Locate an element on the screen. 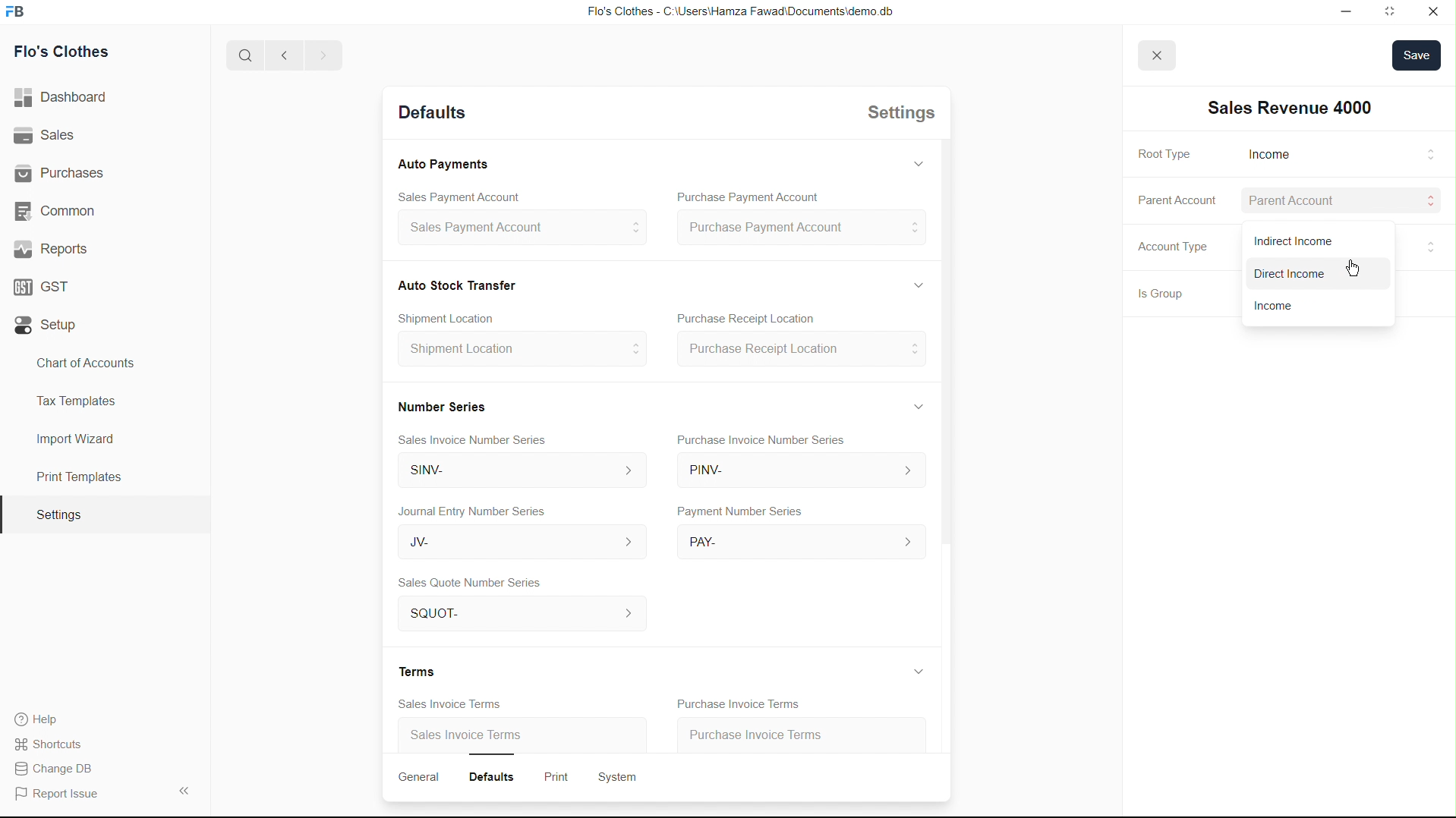 Image resolution: width=1456 pixels, height=818 pixels. Change DB is located at coordinates (58, 769).